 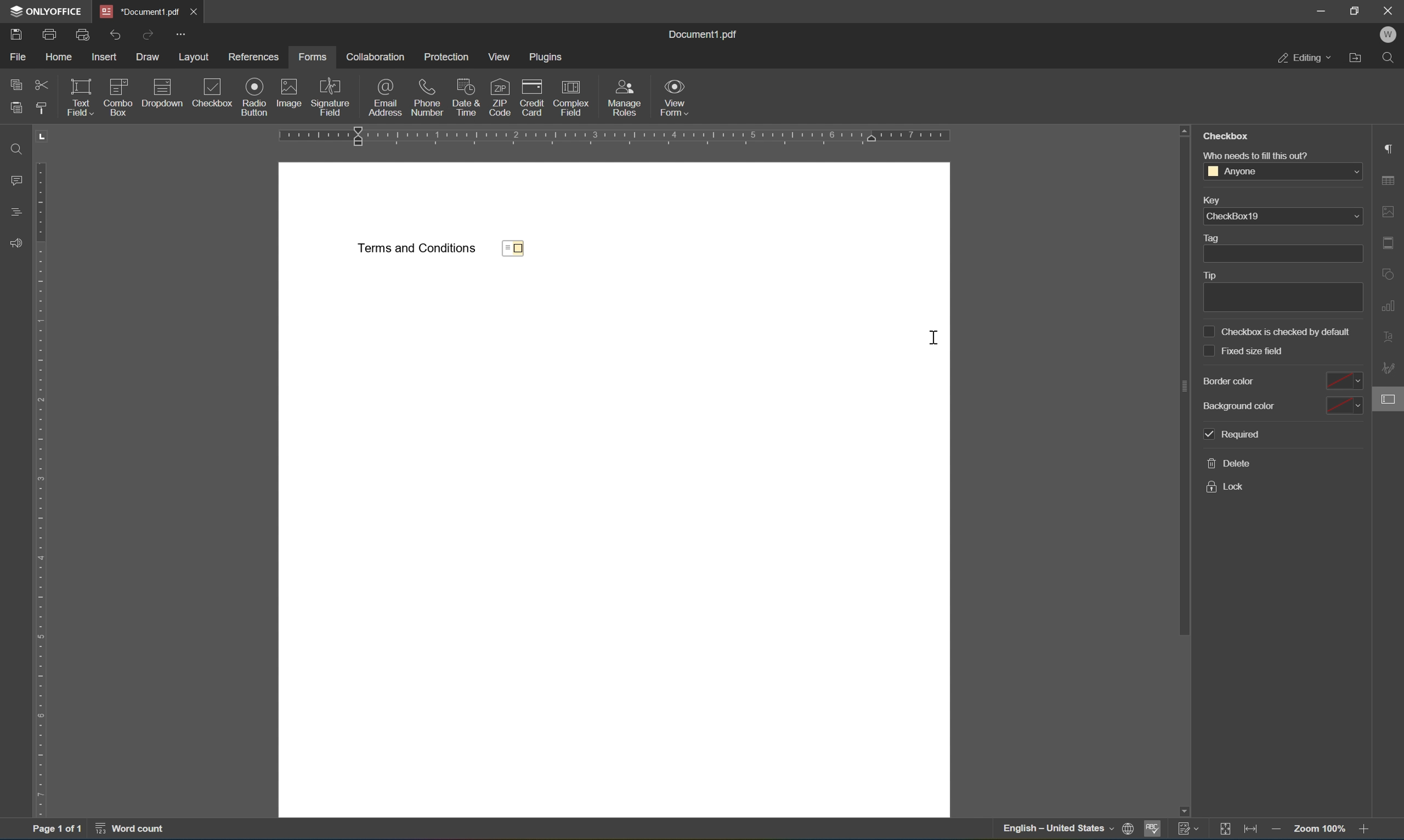 What do you see at coordinates (17, 84) in the screenshot?
I see `copy` at bounding box center [17, 84].